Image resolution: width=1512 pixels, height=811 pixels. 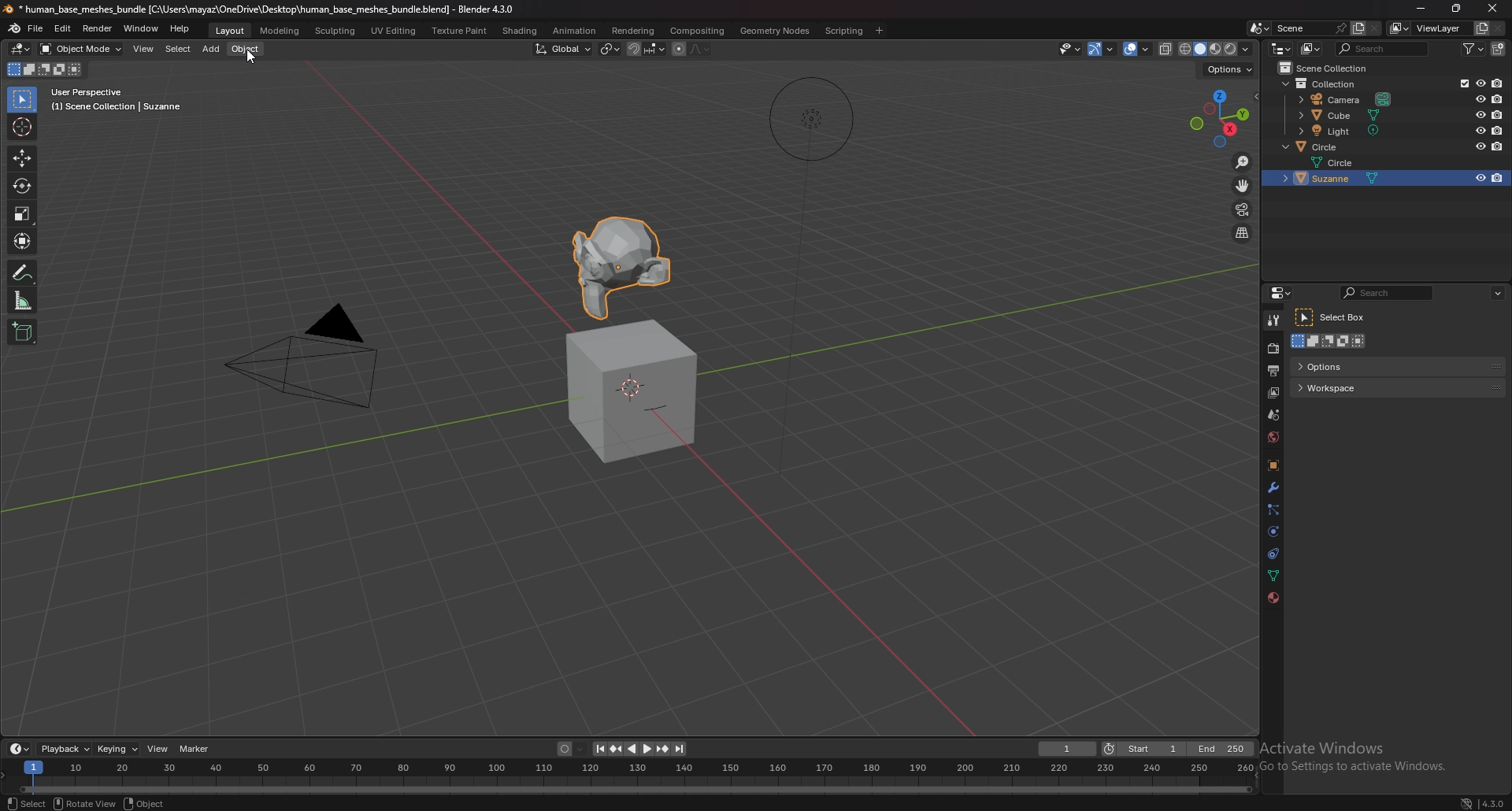 What do you see at coordinates (1243, 185) in the screenshot?
I see `move` at bounding box center [1243, 185].